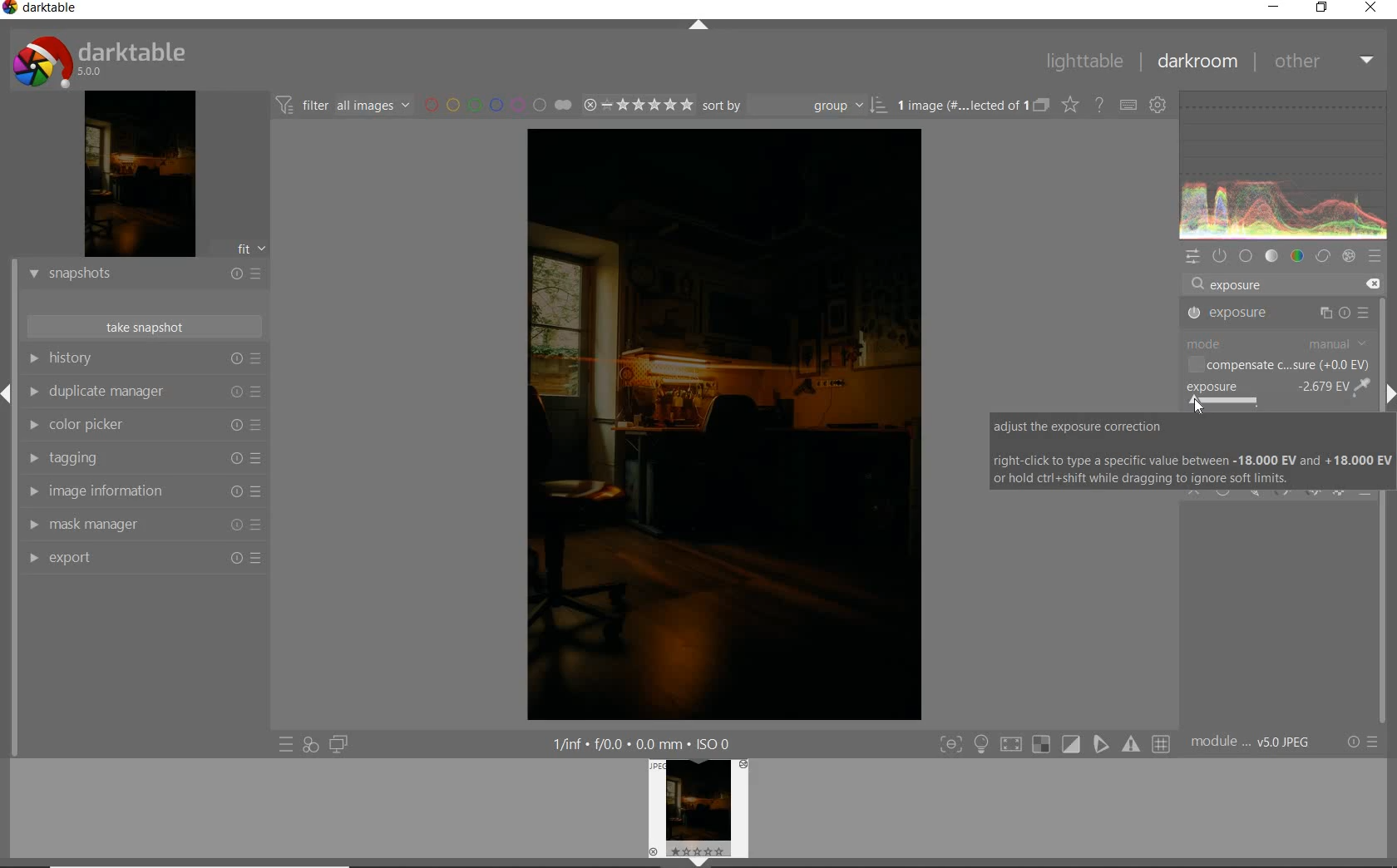 This screenshot has height=868, width=1397. I want to click on quick access to presets, so click(283, 744).